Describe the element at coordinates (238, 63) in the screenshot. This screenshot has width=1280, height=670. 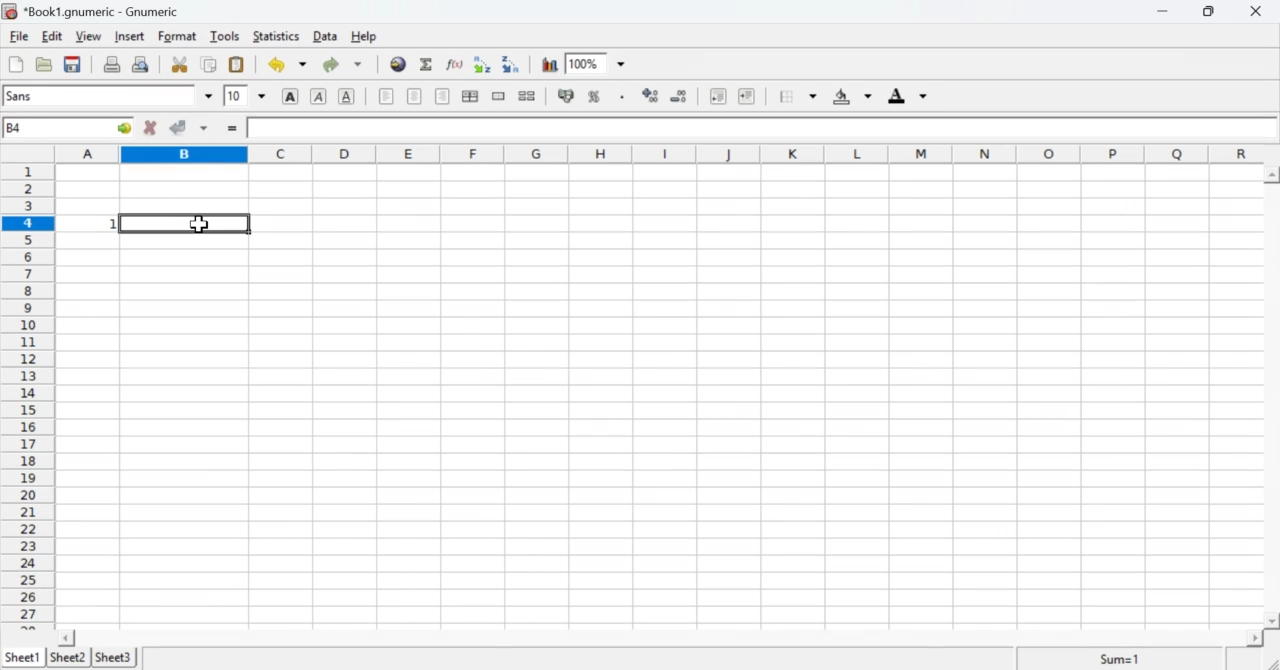
I see `Paste the clipboard` at that location.